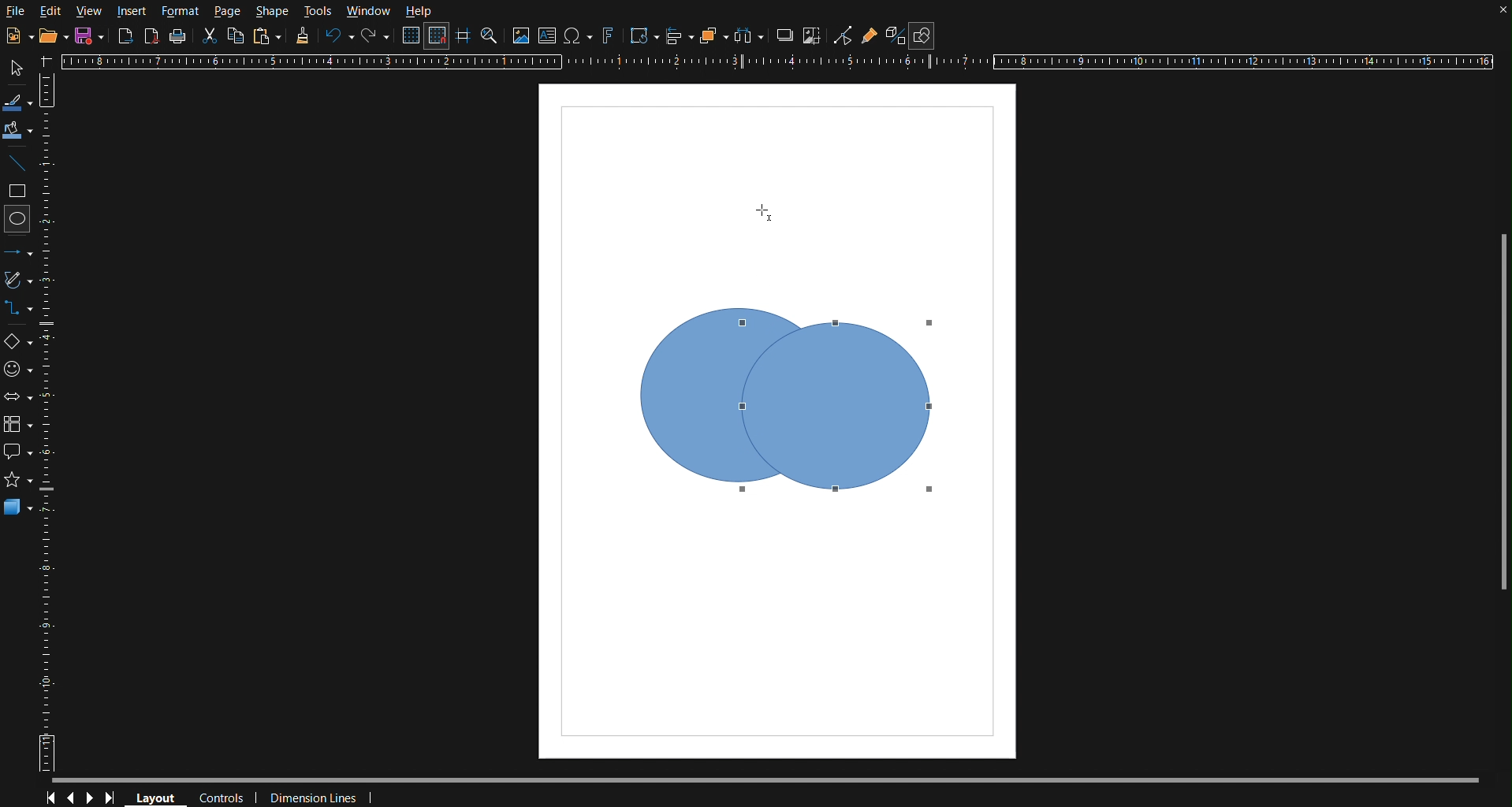 Image resolution: width=1512 pixels, height=807 pixels. What do you see at coordinates (549, 35) in the screenshot?
I see `Textbox` at bounding box center [549, 35].